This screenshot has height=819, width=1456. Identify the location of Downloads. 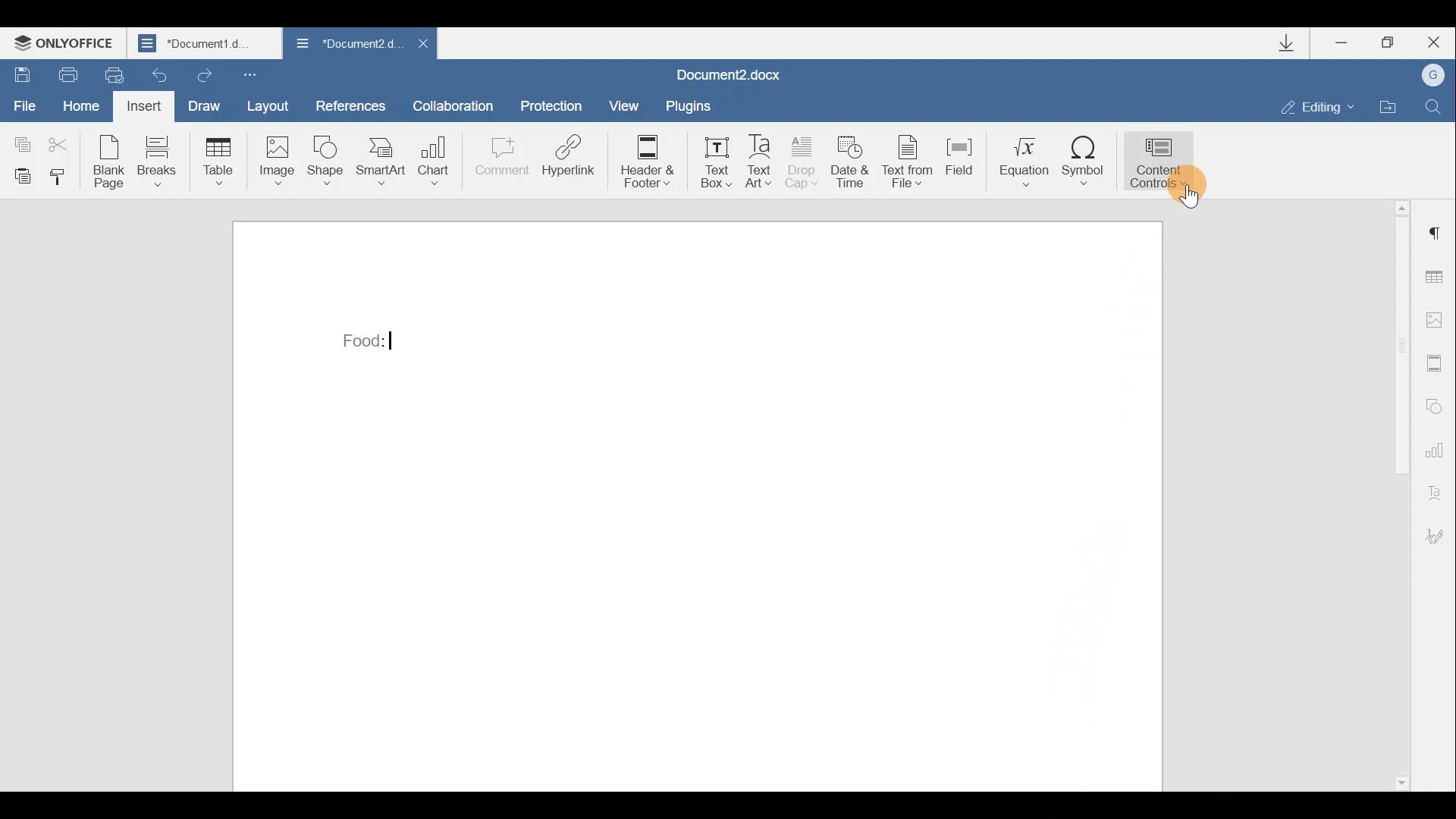
(1292, 43).